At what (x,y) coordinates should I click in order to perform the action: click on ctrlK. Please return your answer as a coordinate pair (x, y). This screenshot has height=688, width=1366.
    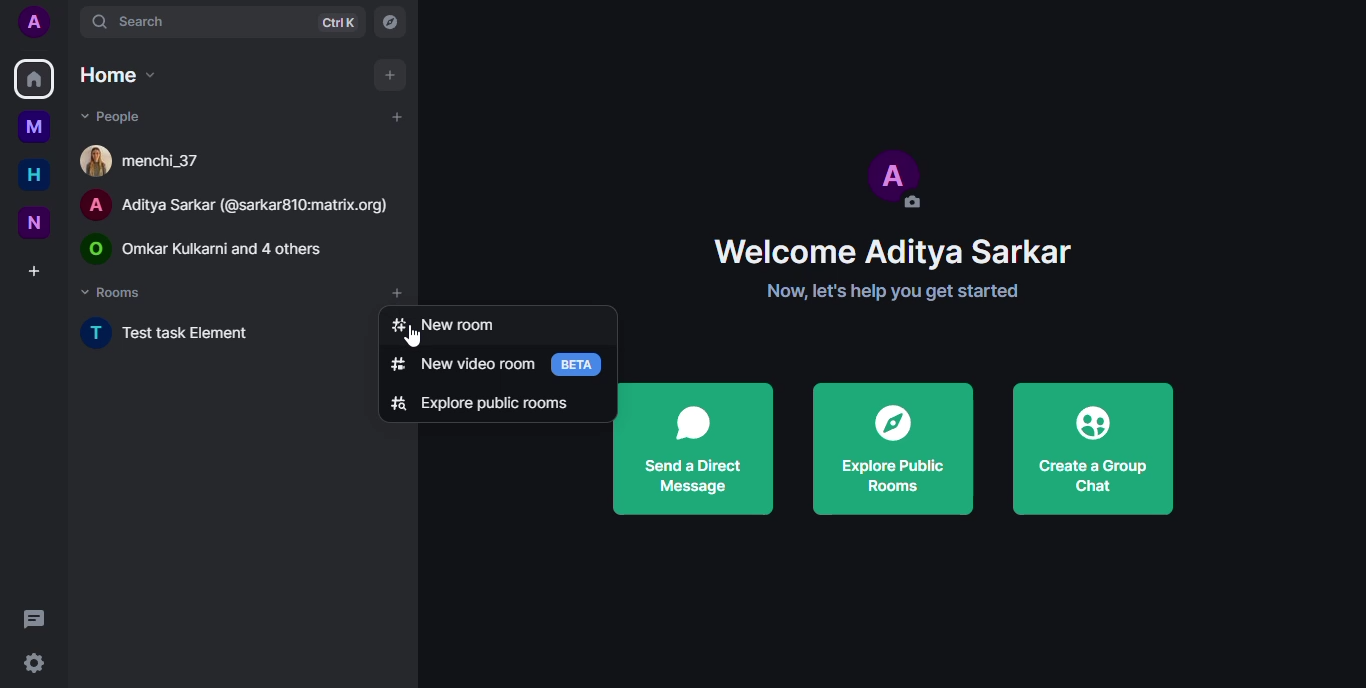
    Looking at the image, I should click on (339, 22).